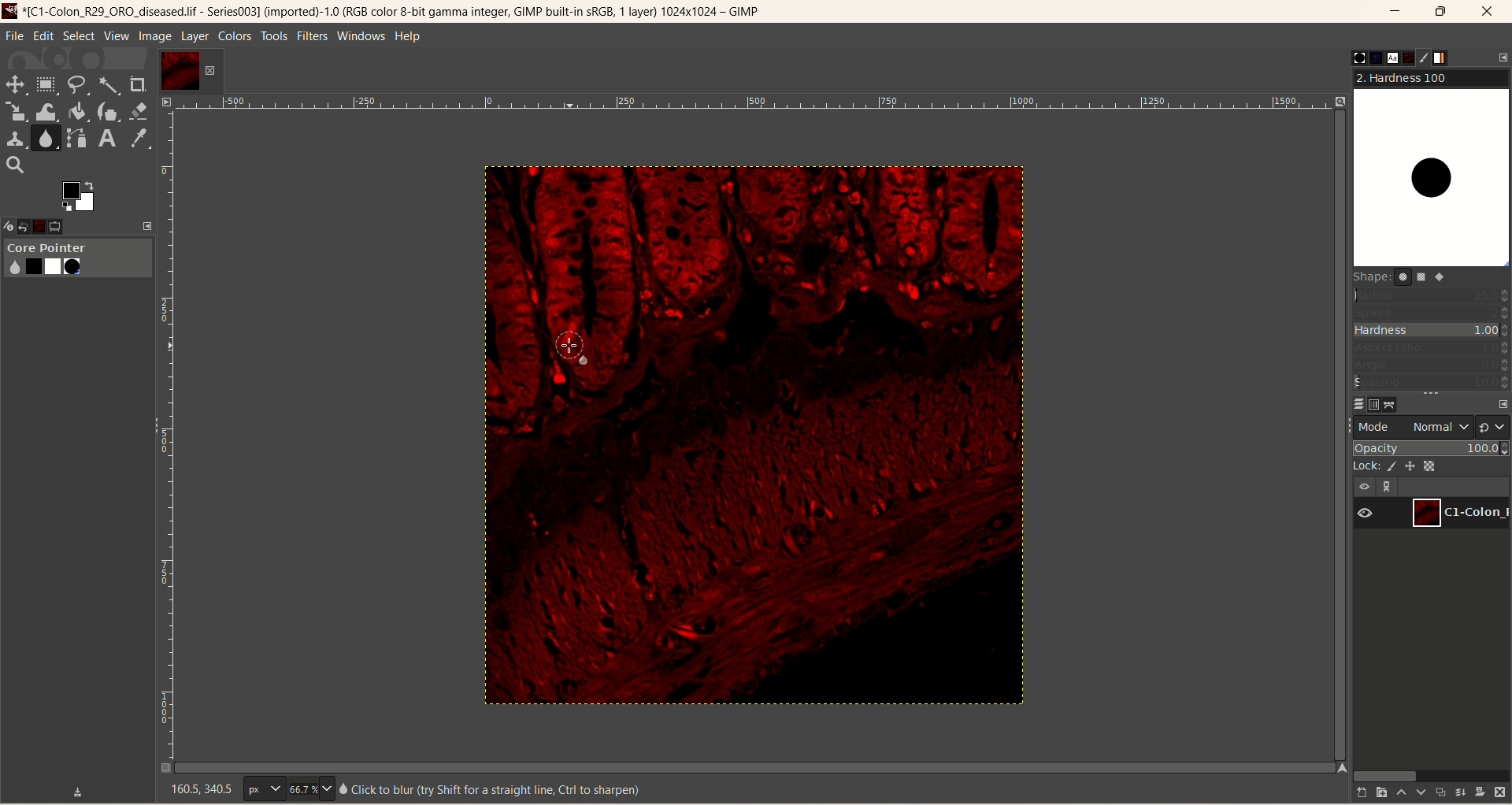  What do you see at coordinates (194, 36) in the screenshot?
I see `layer` at bounding box center [194, 36].